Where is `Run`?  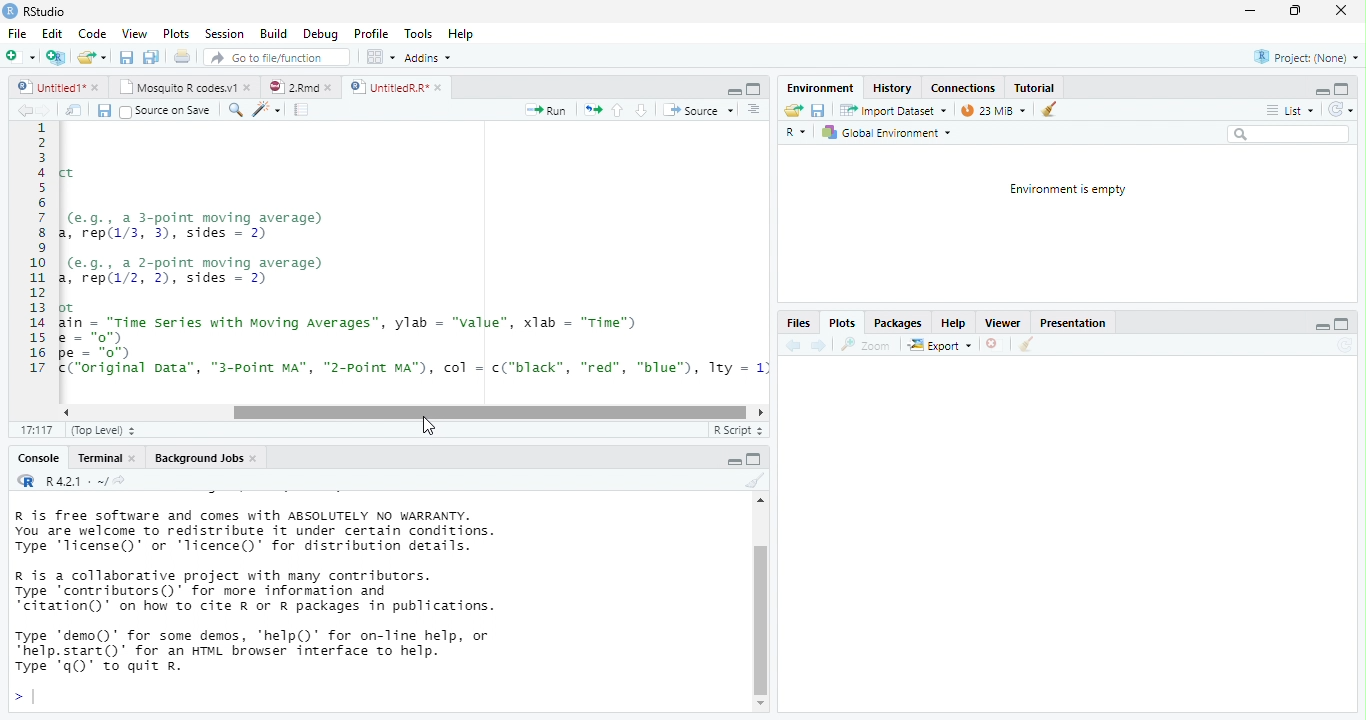
Run is located at coordinates (547, 111).